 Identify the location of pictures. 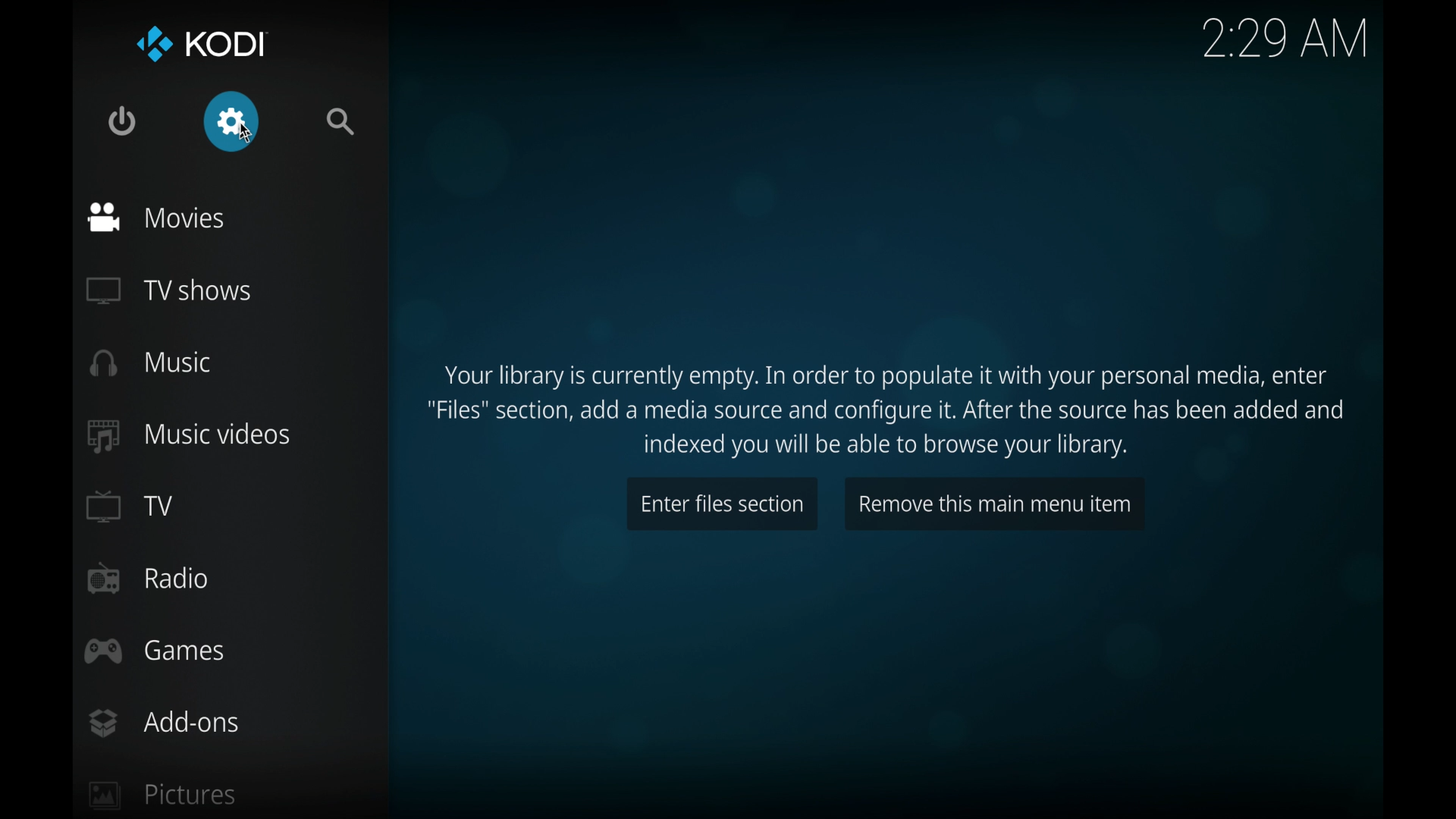
(162, 795).